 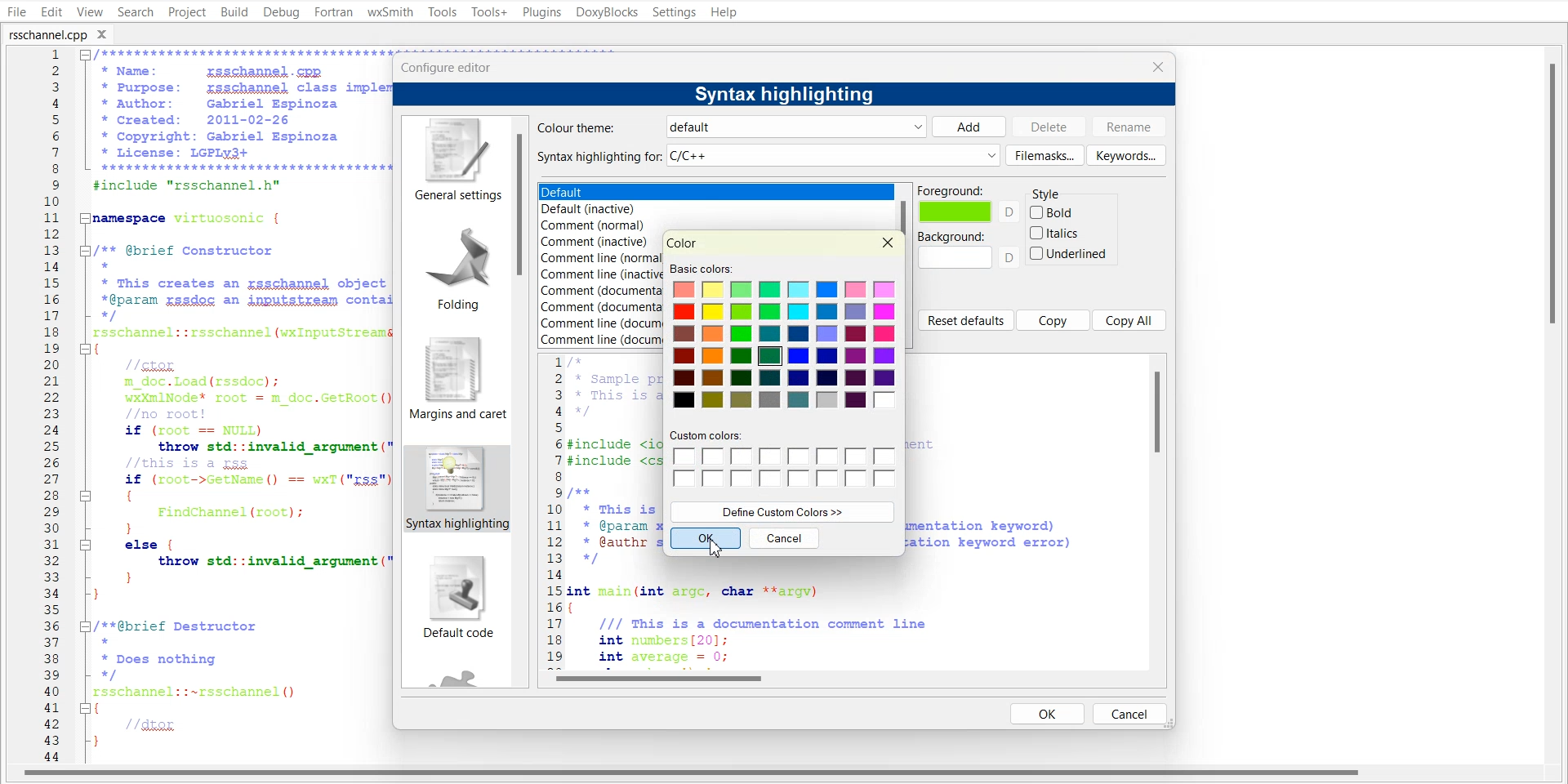 What do you see at coordinates (457, 600) in the screenshot?
I see `Default code` at bounding box center [457, 600].